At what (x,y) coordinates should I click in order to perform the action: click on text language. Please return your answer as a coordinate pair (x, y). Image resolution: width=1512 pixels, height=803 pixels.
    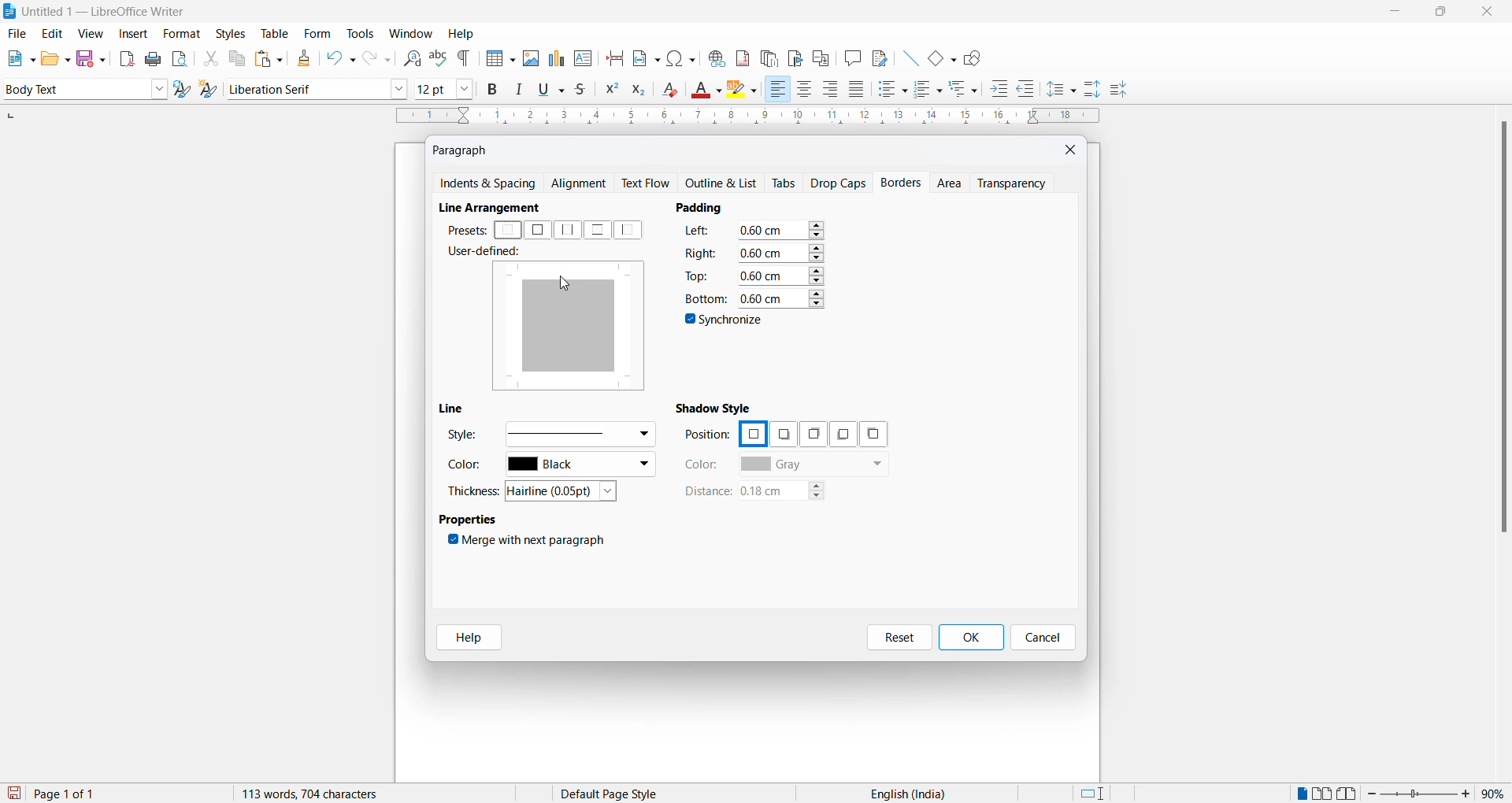
    Looking at the image, I should click on (902, 794).